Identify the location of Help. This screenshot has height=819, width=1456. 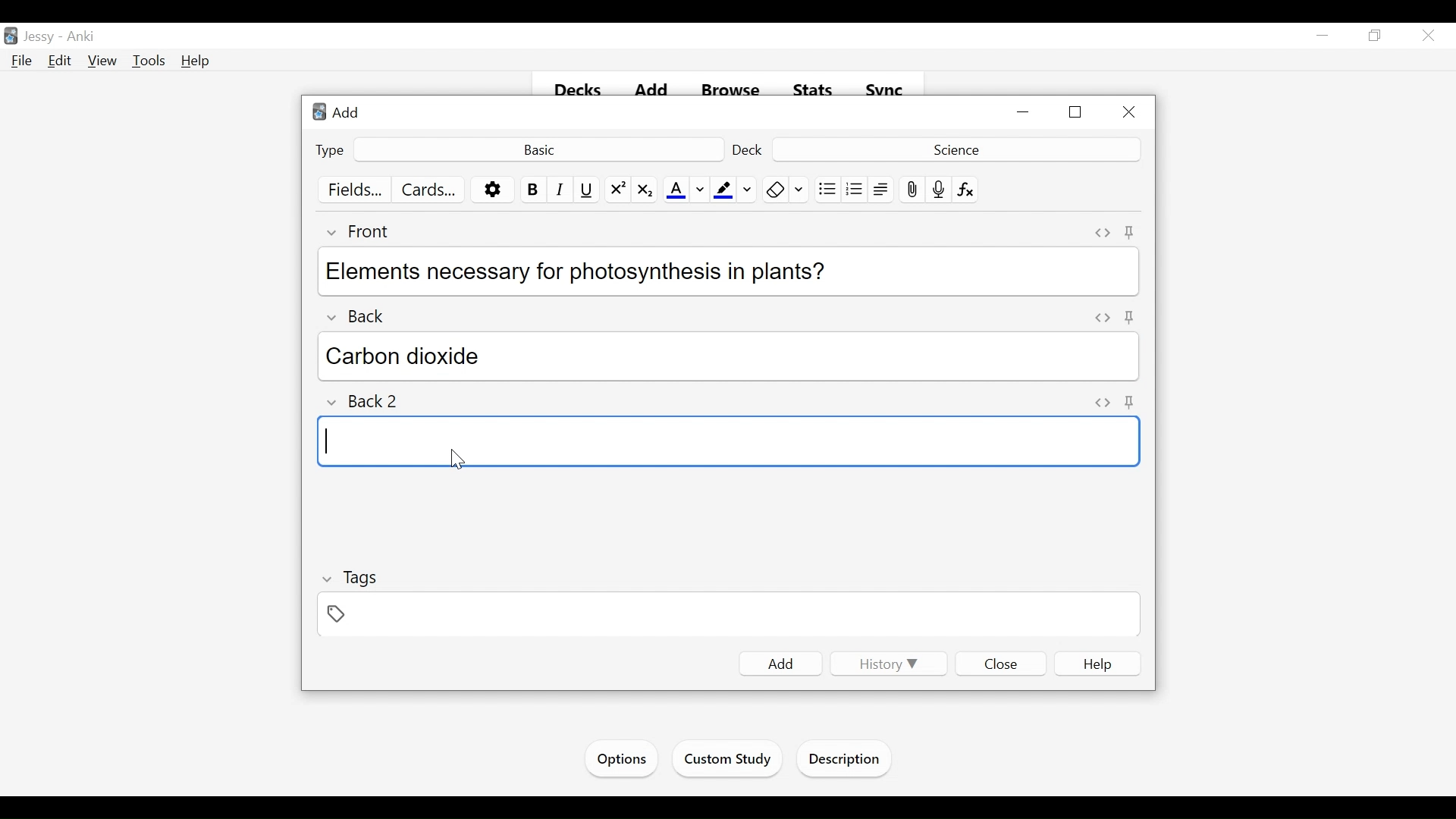
(196, 61).